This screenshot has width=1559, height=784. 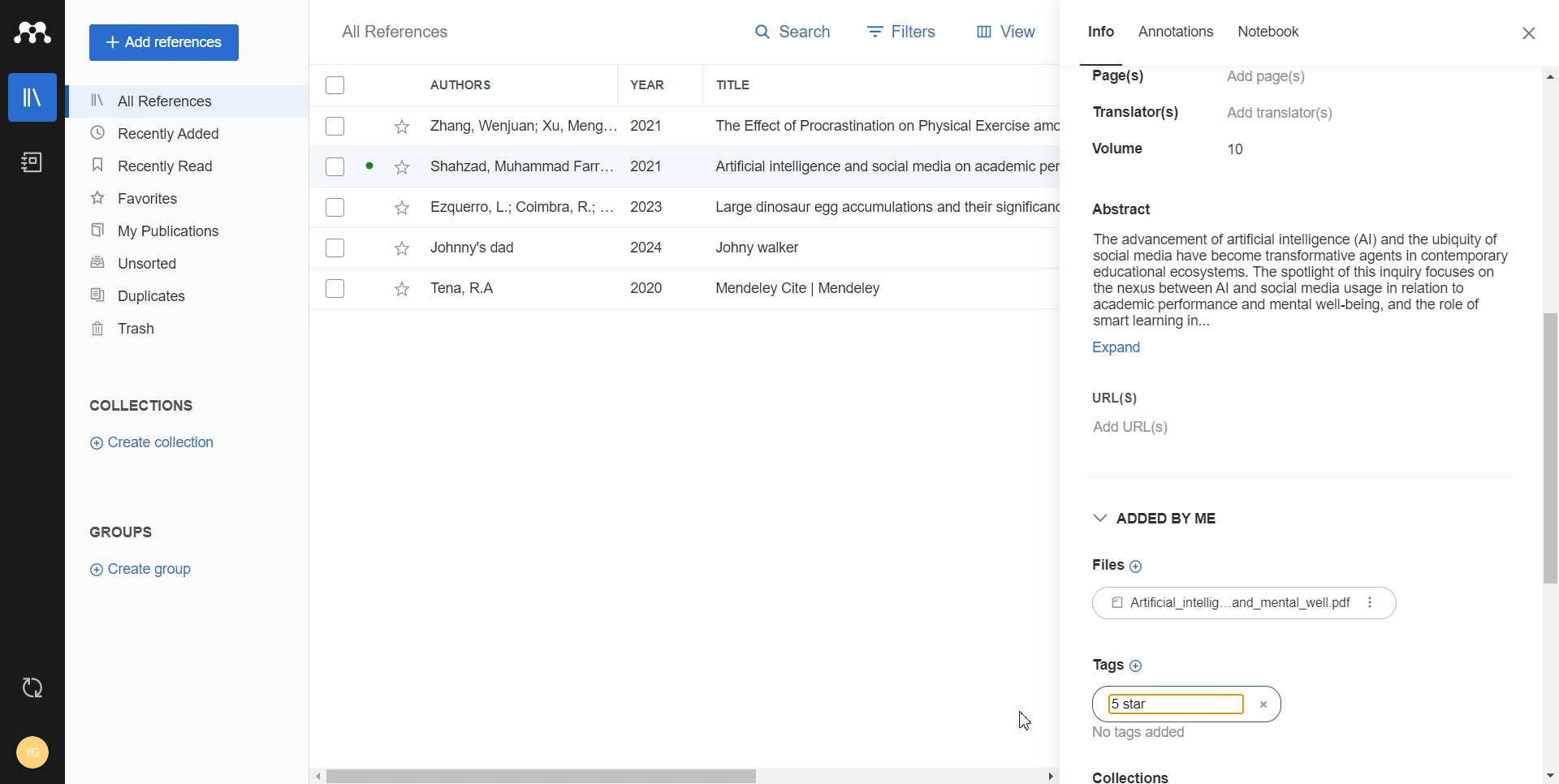 What do you see at coordinates (1263, 705) in the screenshot?
I see `Close` at bounding box center [1263, 705].